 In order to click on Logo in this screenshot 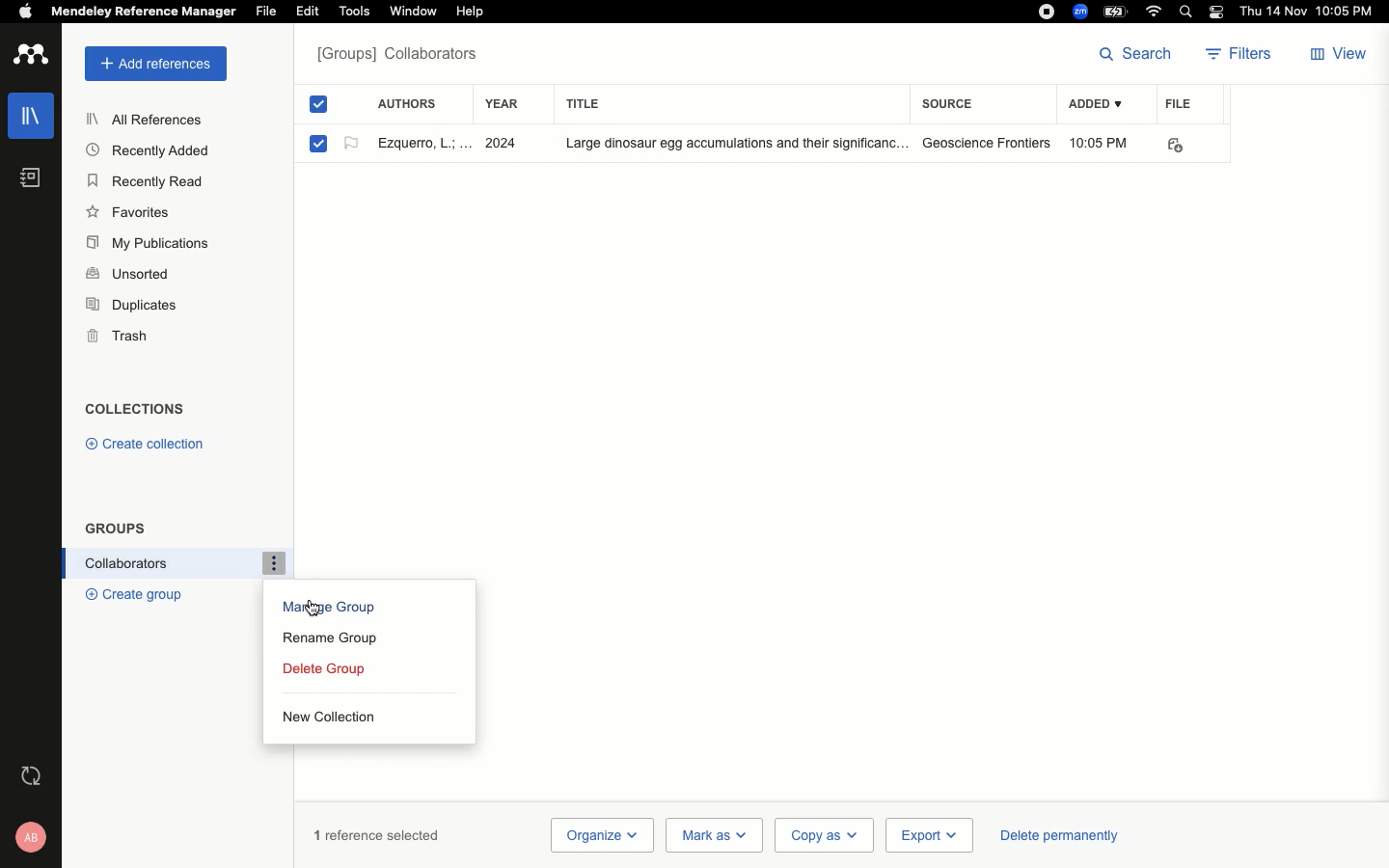, I will do `click(33, 56)`.